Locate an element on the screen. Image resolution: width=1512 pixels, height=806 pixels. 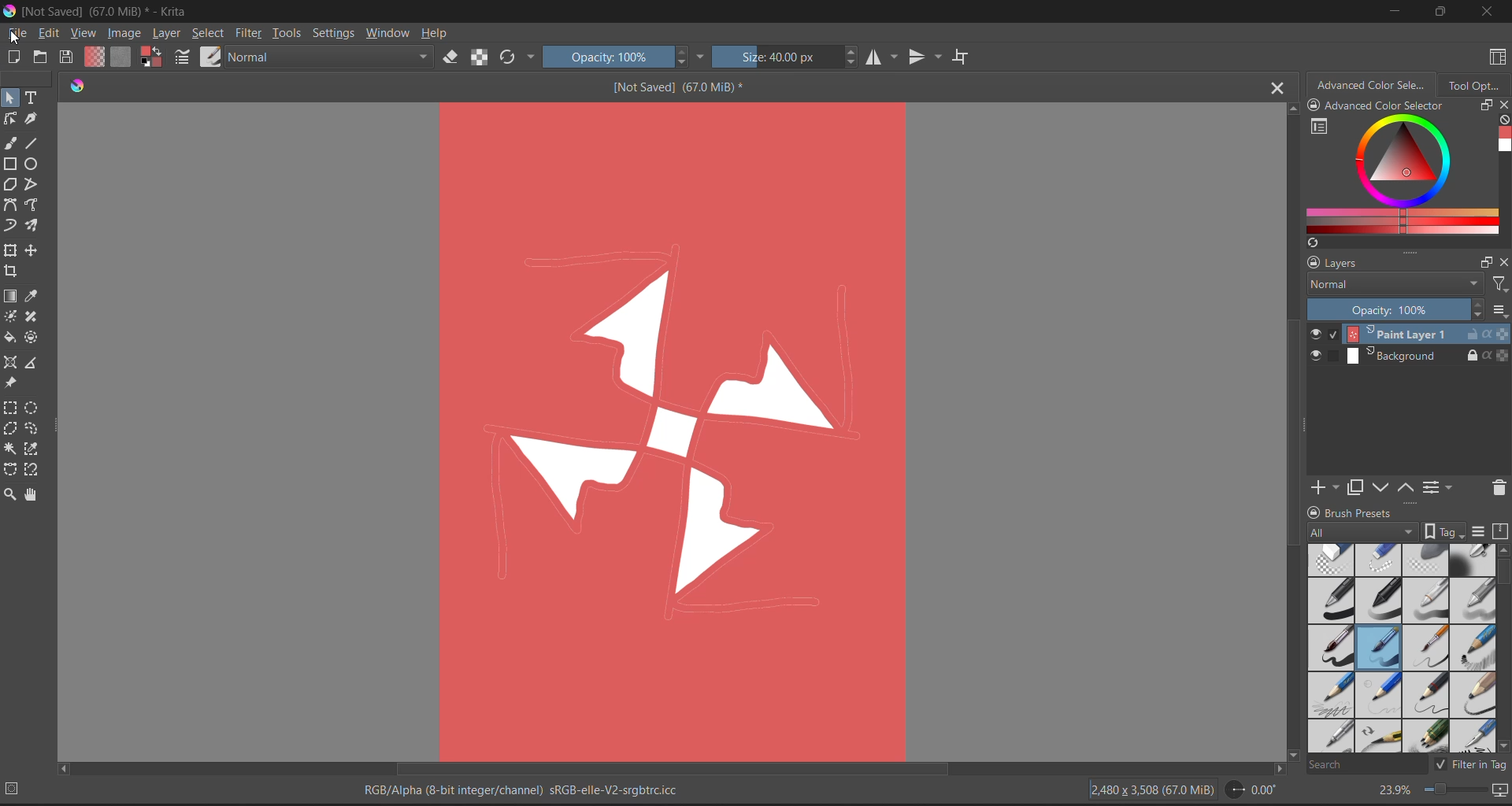
float docker is located at coordinates (1486, 106).